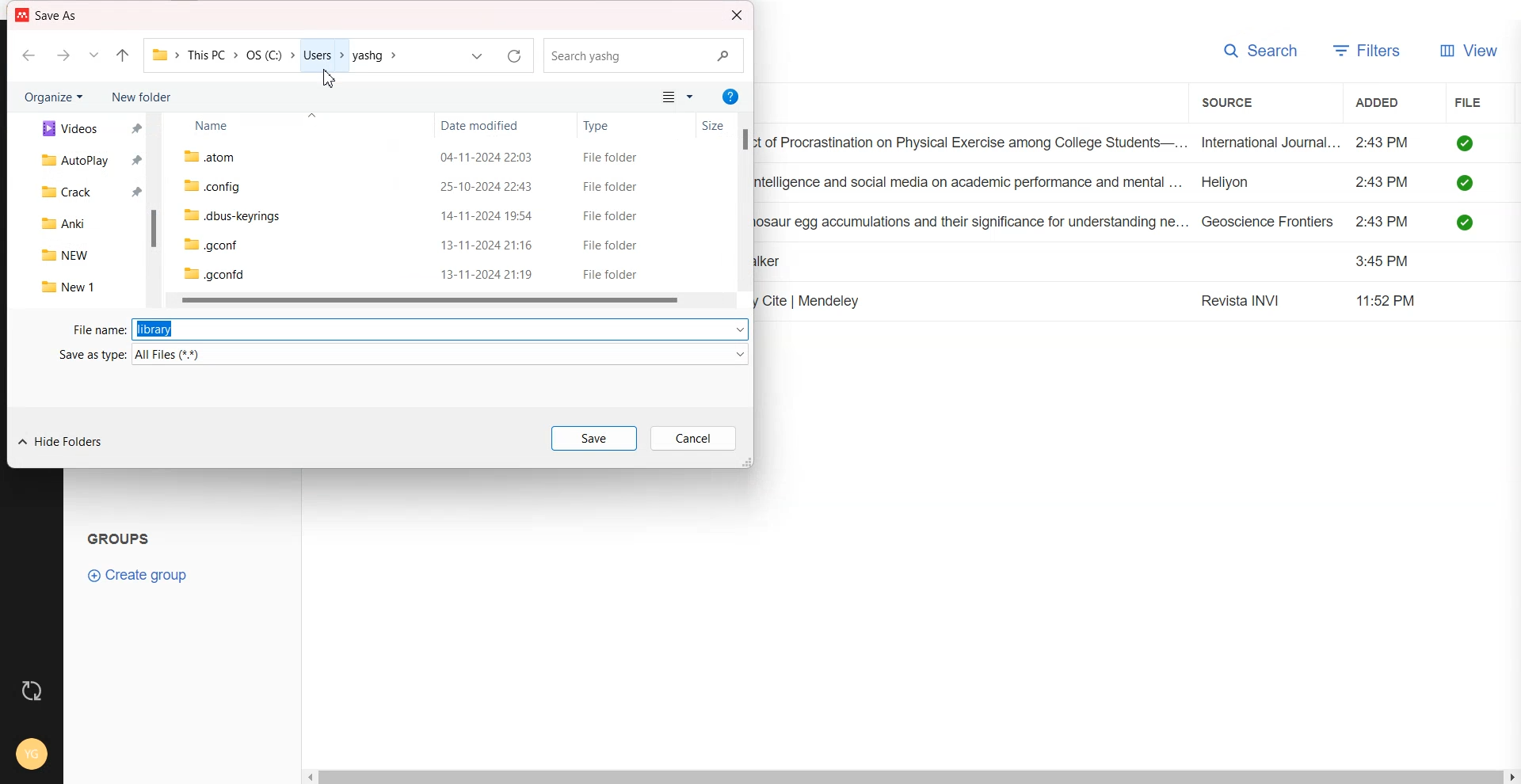 The image size is (1521, 784). Describe the element at coordinates (300, 126) in the screenshot. I see `Name` at that location.